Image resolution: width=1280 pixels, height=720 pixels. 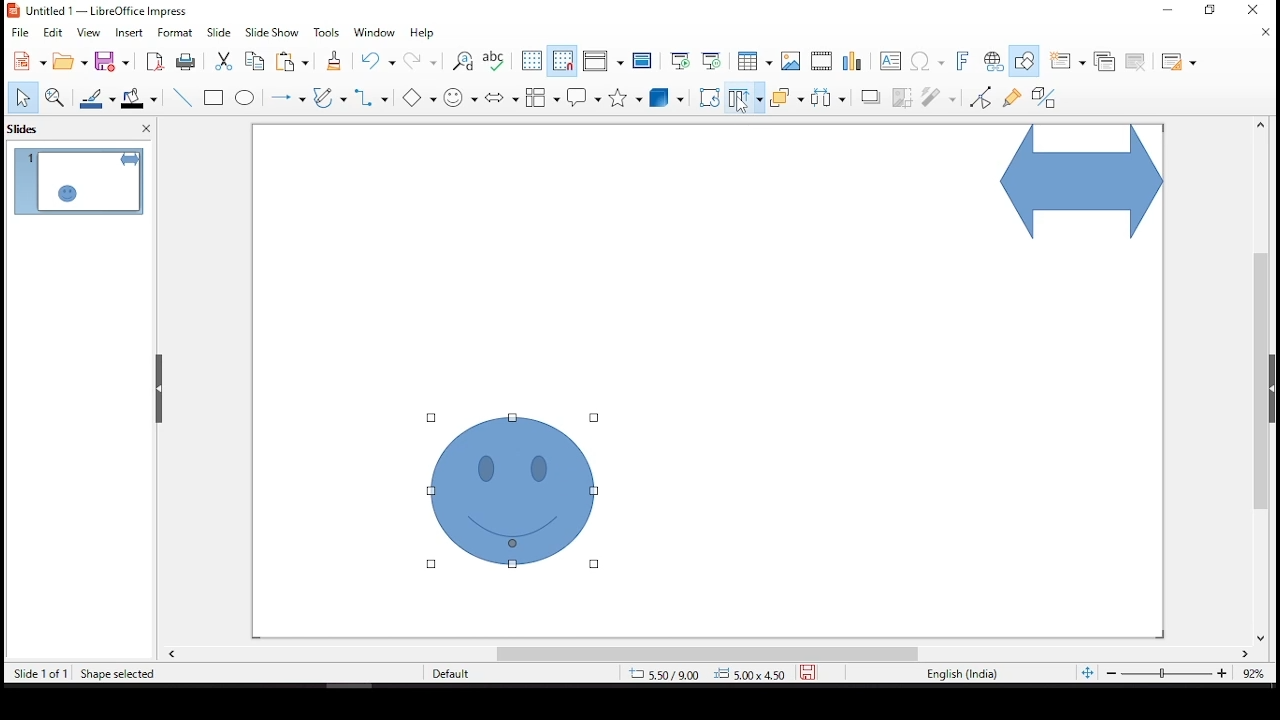 I want to click on charts, so click(x=855, y=63).